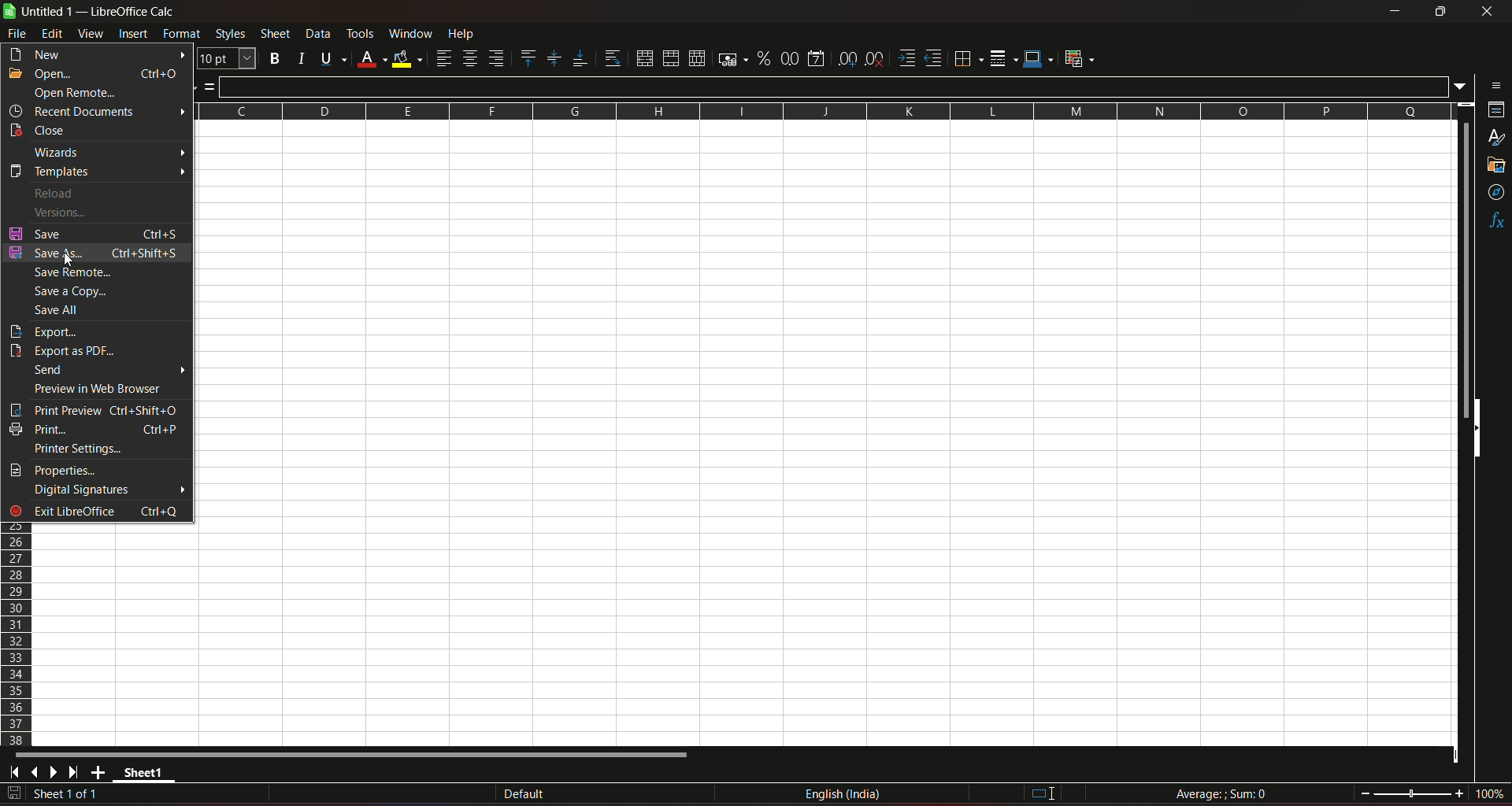 The image size is (1512, 806). Describe the element at coordinates (1039, 60) in the screenshot. I see `border color` at that location.